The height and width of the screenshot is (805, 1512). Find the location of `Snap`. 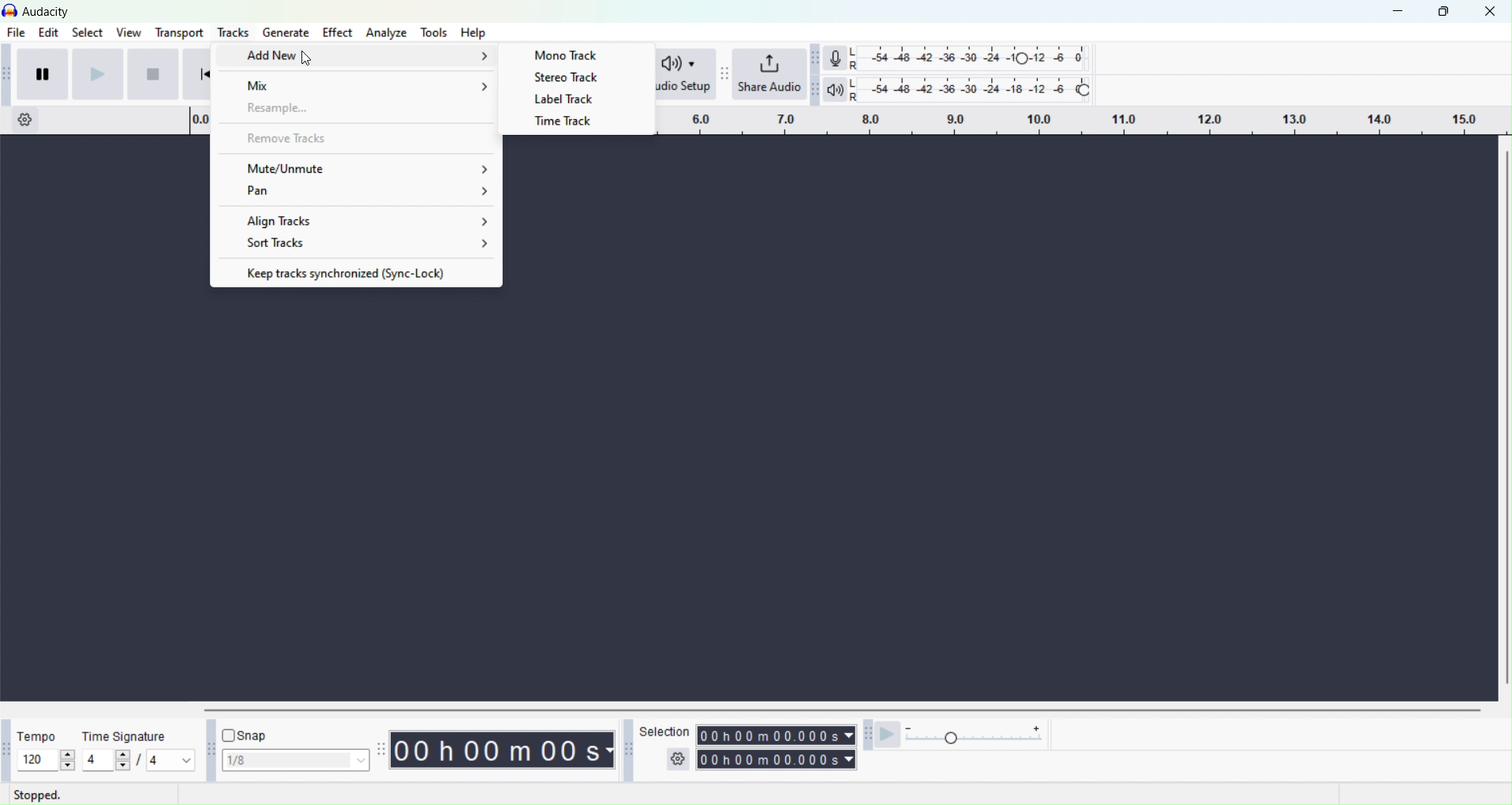

Snap is located at coordinates (252, 734).